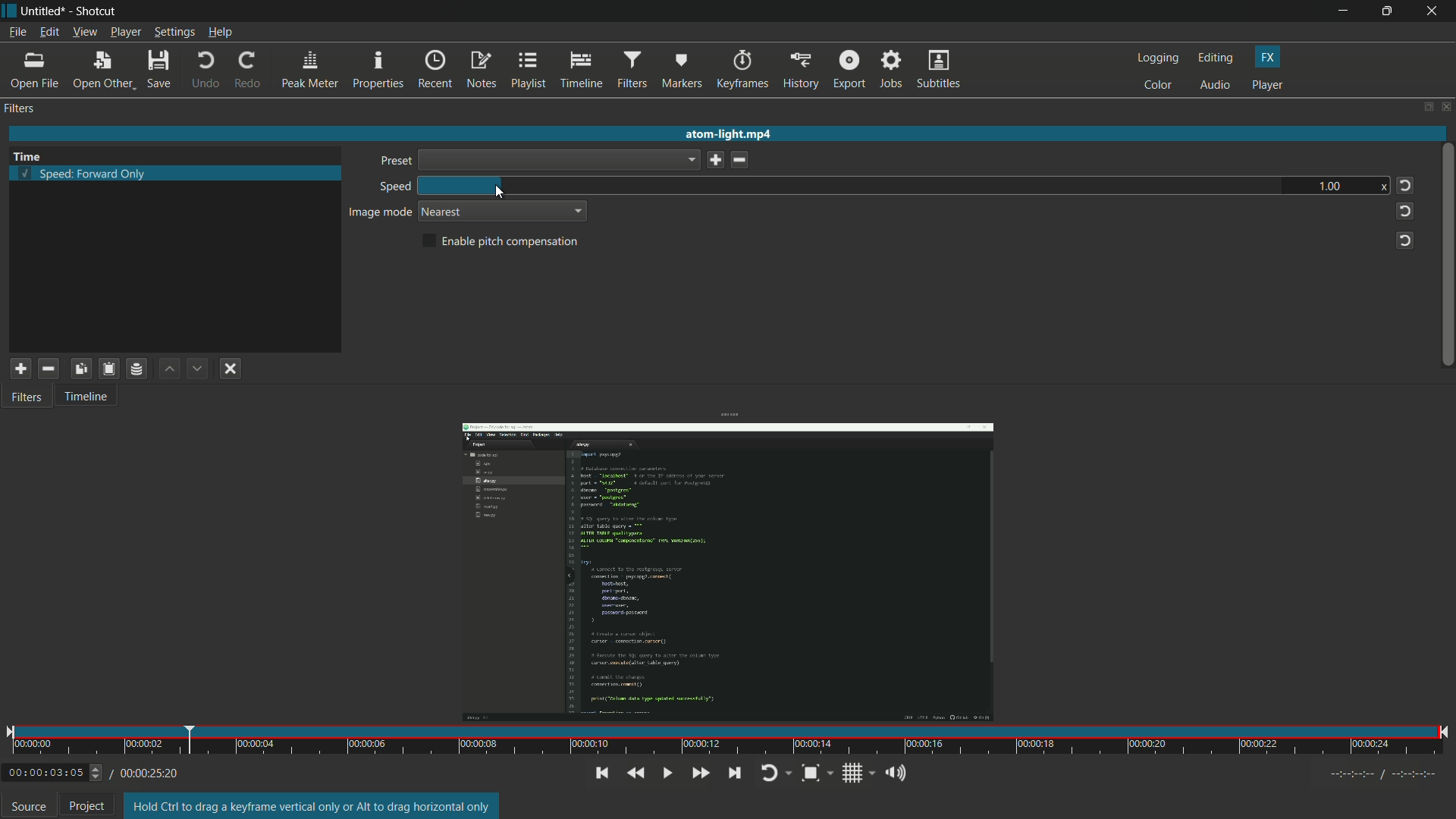  Describe the element at coordinates (102, 71) in the screenshot. I see `open other` at that location.